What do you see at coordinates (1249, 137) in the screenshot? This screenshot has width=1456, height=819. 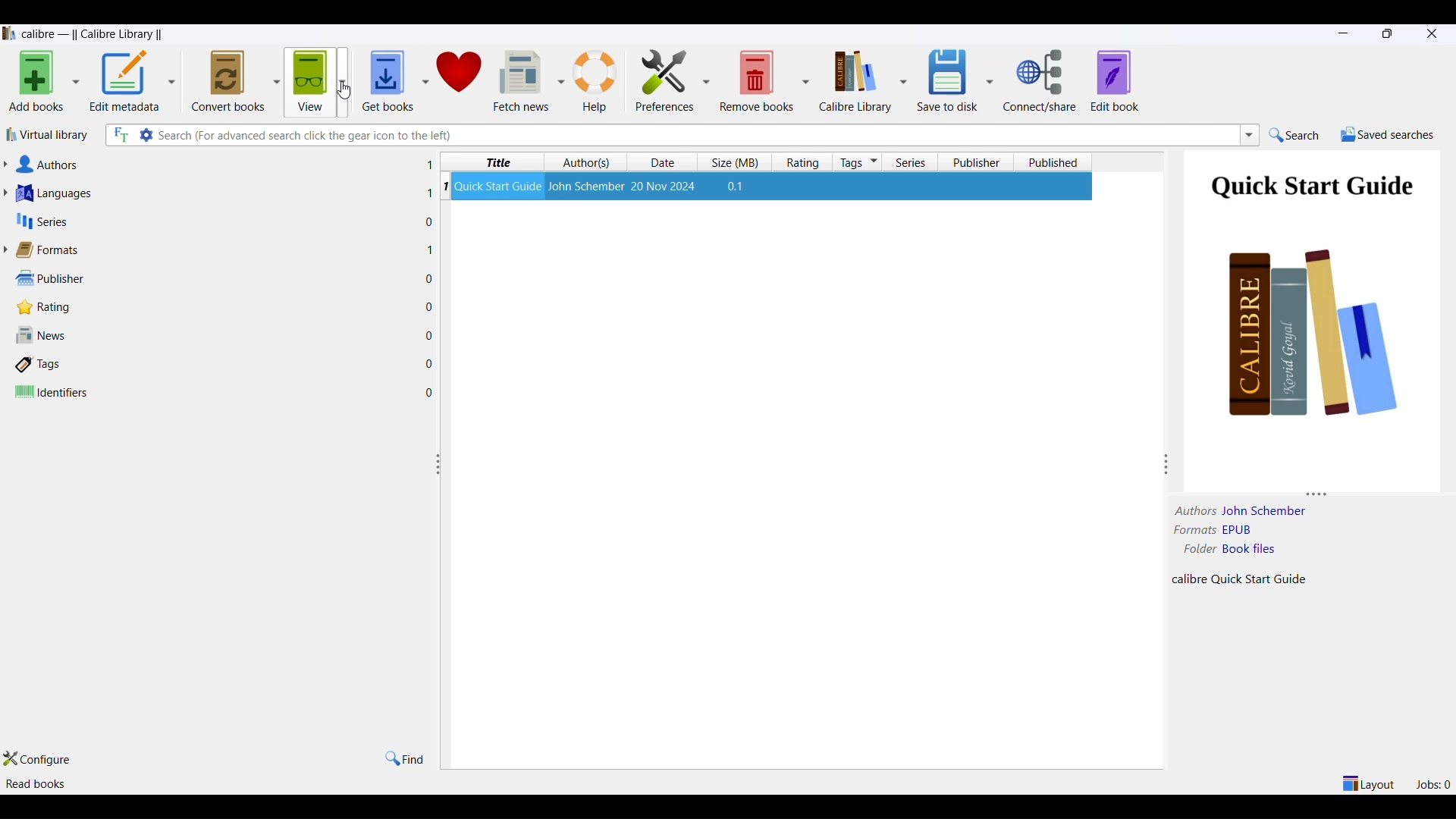 I see `search box dropdown button` at bounding box center [1249, 137].